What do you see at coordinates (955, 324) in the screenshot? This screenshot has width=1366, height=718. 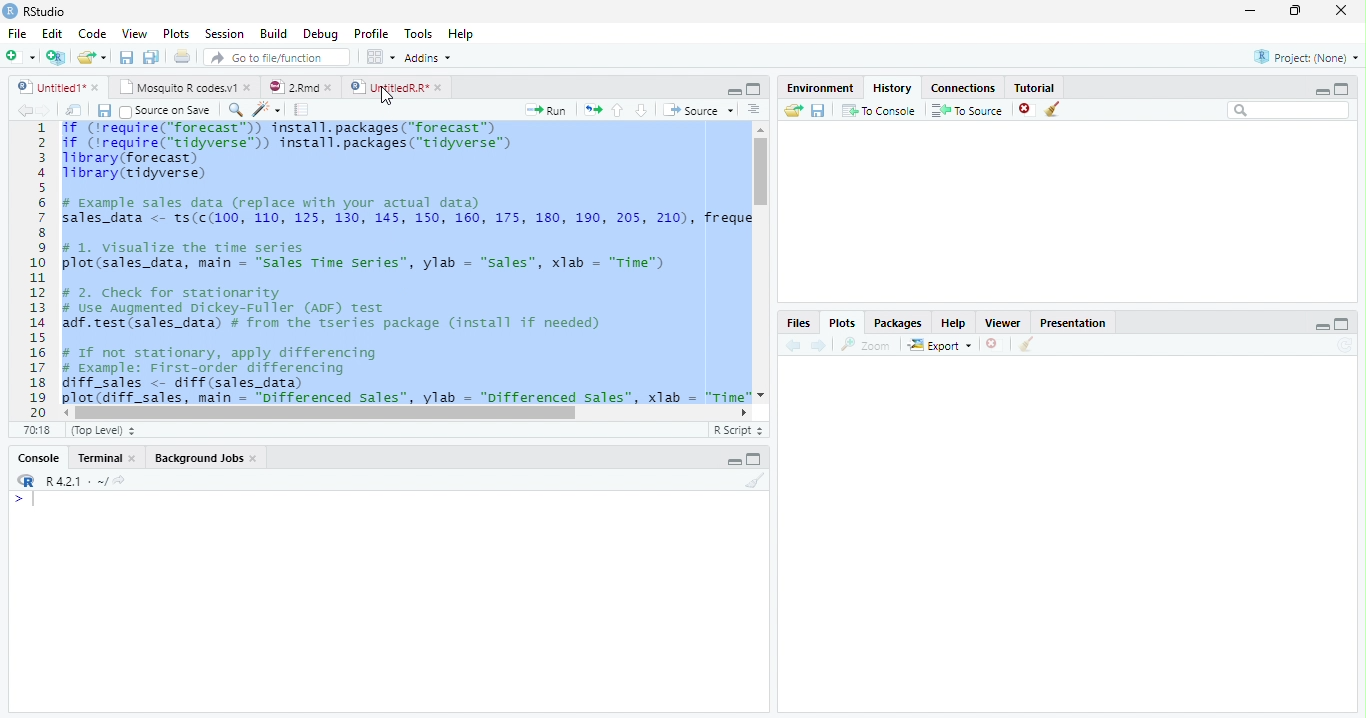 I see `Help` at bounding box center [955, 324].